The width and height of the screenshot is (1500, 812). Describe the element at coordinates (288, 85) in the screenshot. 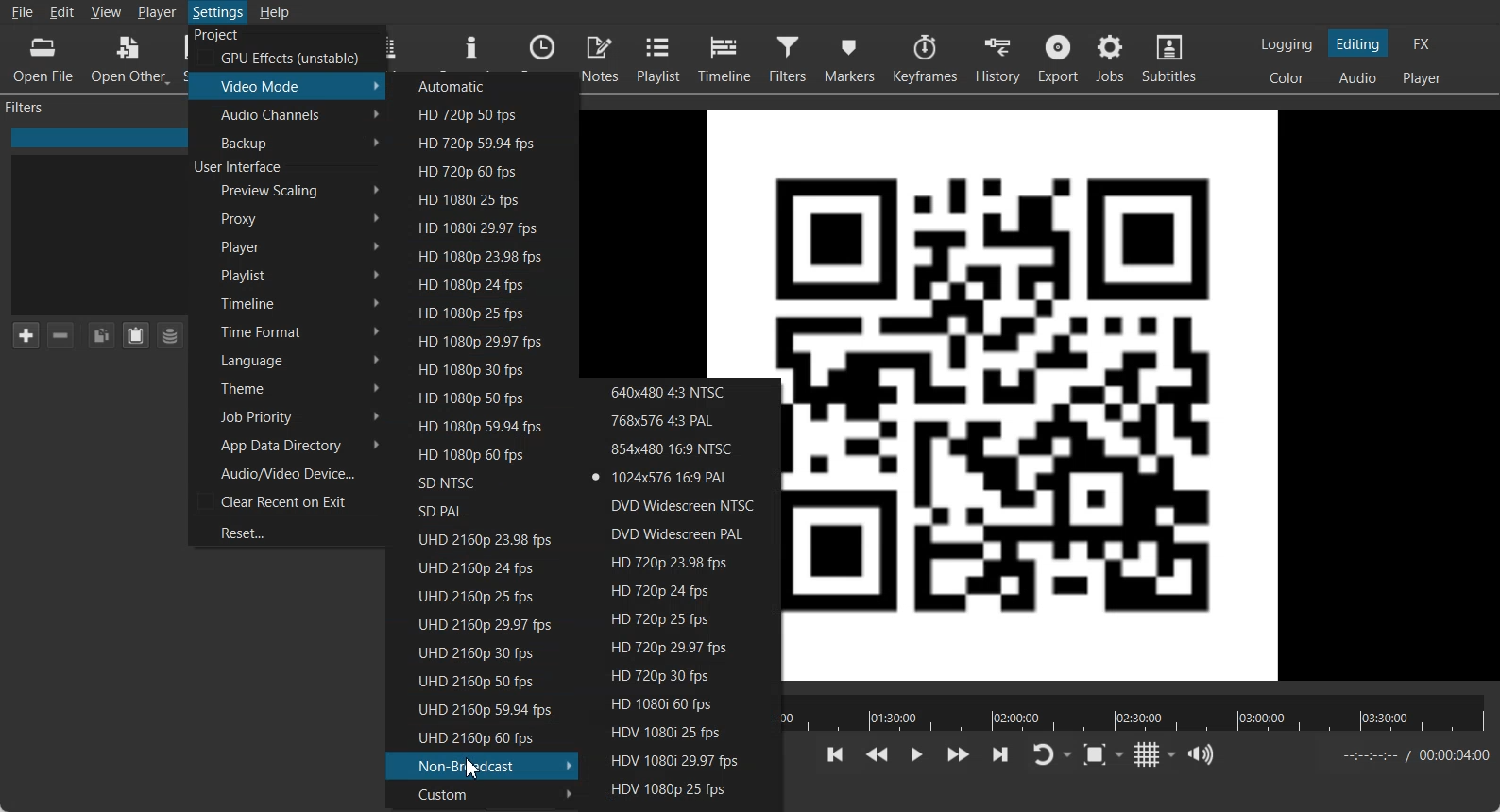

I see `Video Mode` at that location.